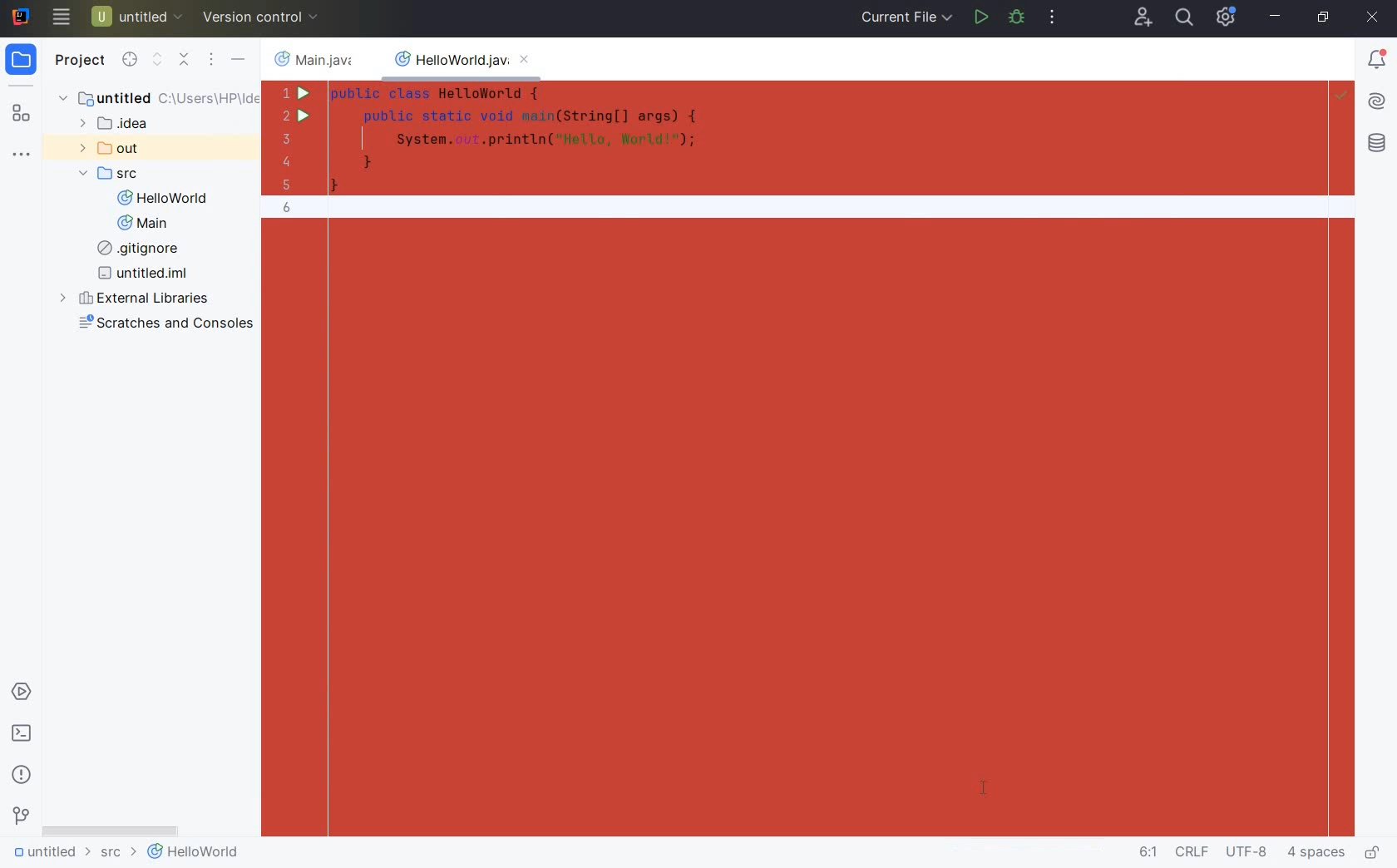 Image resolution: width=1397 pixels, height=868 pixels. What do you see at coordinates (1184, 17) in the screenshot?
I see `search everywhere` at bounding box center [1184, 17].